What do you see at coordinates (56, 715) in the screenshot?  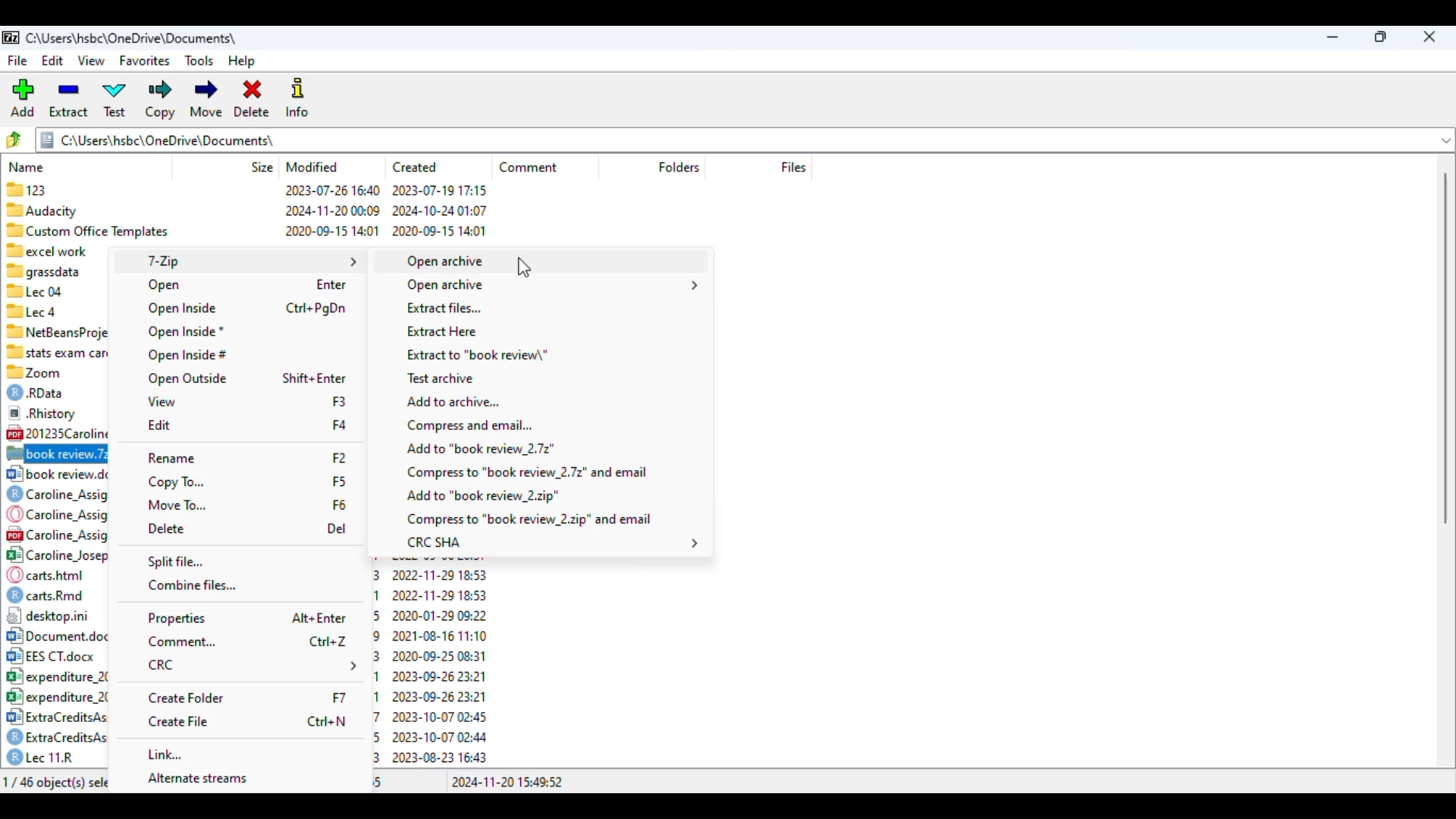 I see `3 ExtraCreditsAssignment... 60228 2023-10-07 02:57 2023-10-07 02:45` at bounding box center [56, 715].